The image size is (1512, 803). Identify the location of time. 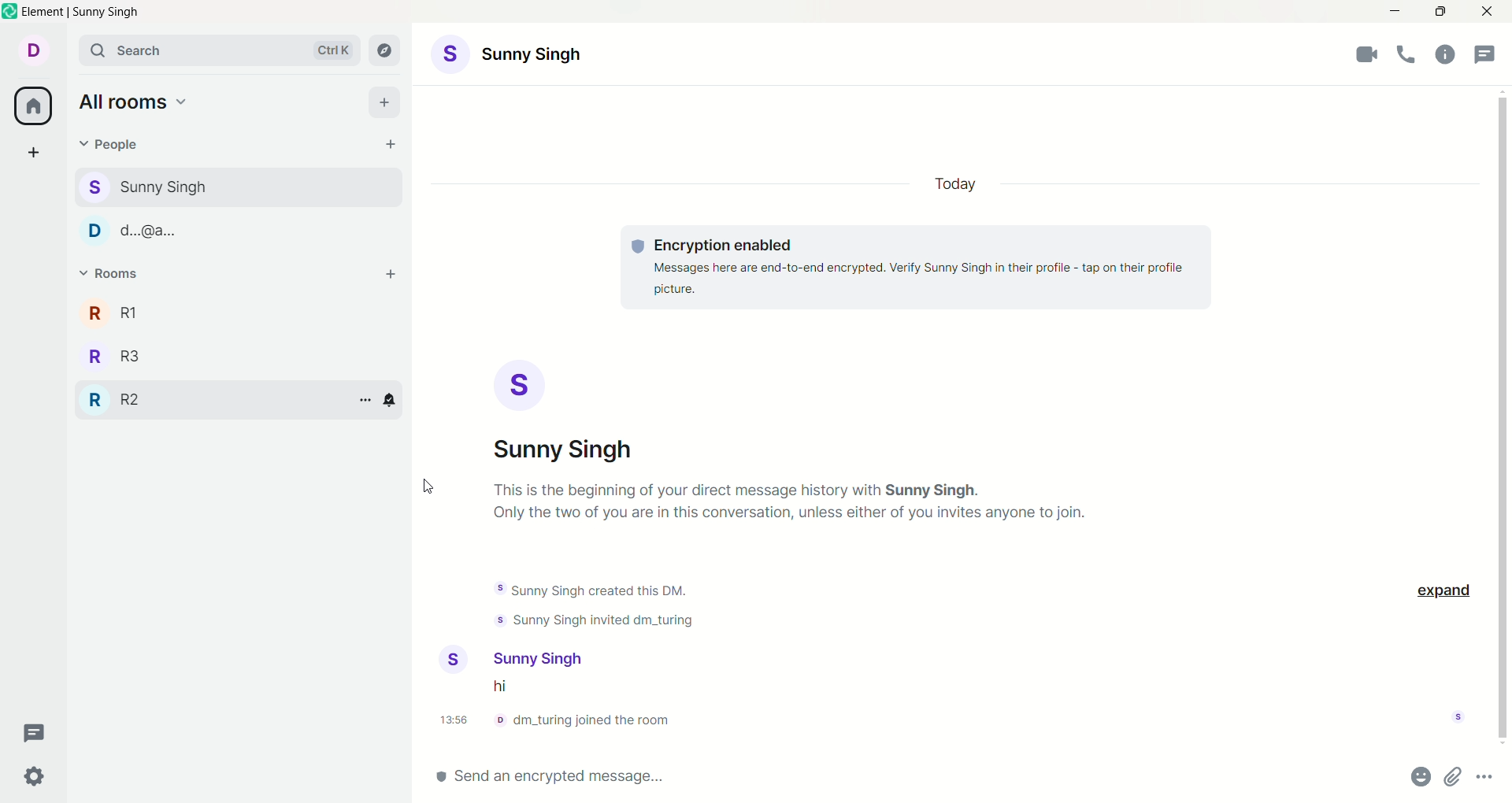
(458, 721).